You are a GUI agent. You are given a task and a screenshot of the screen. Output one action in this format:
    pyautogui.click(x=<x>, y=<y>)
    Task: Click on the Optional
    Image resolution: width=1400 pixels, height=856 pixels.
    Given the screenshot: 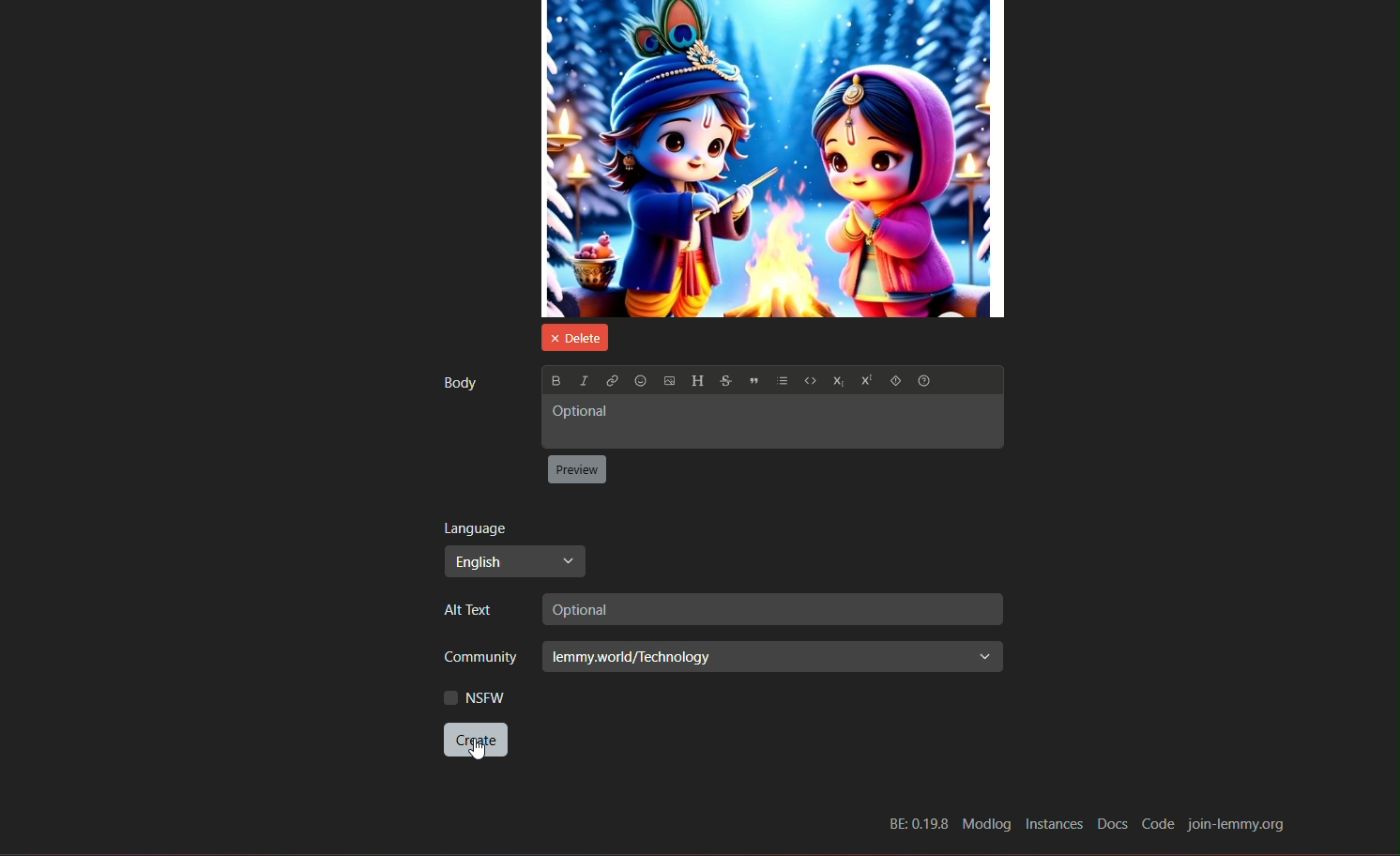 What is the action you would take?
    pyautogui.click(x=769, y=609)
    